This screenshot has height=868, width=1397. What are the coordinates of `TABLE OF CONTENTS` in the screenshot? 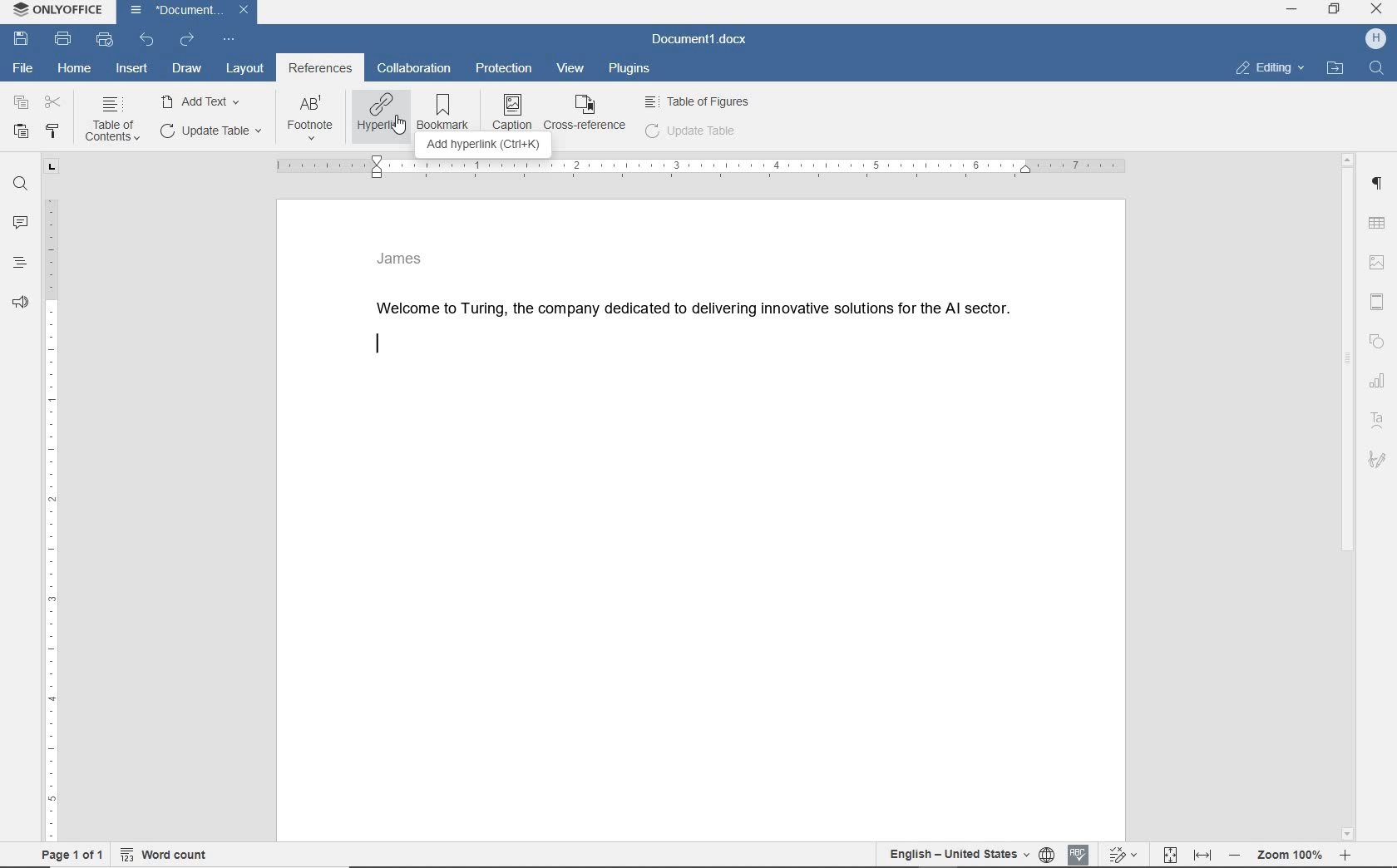 It's located at (116, 120).